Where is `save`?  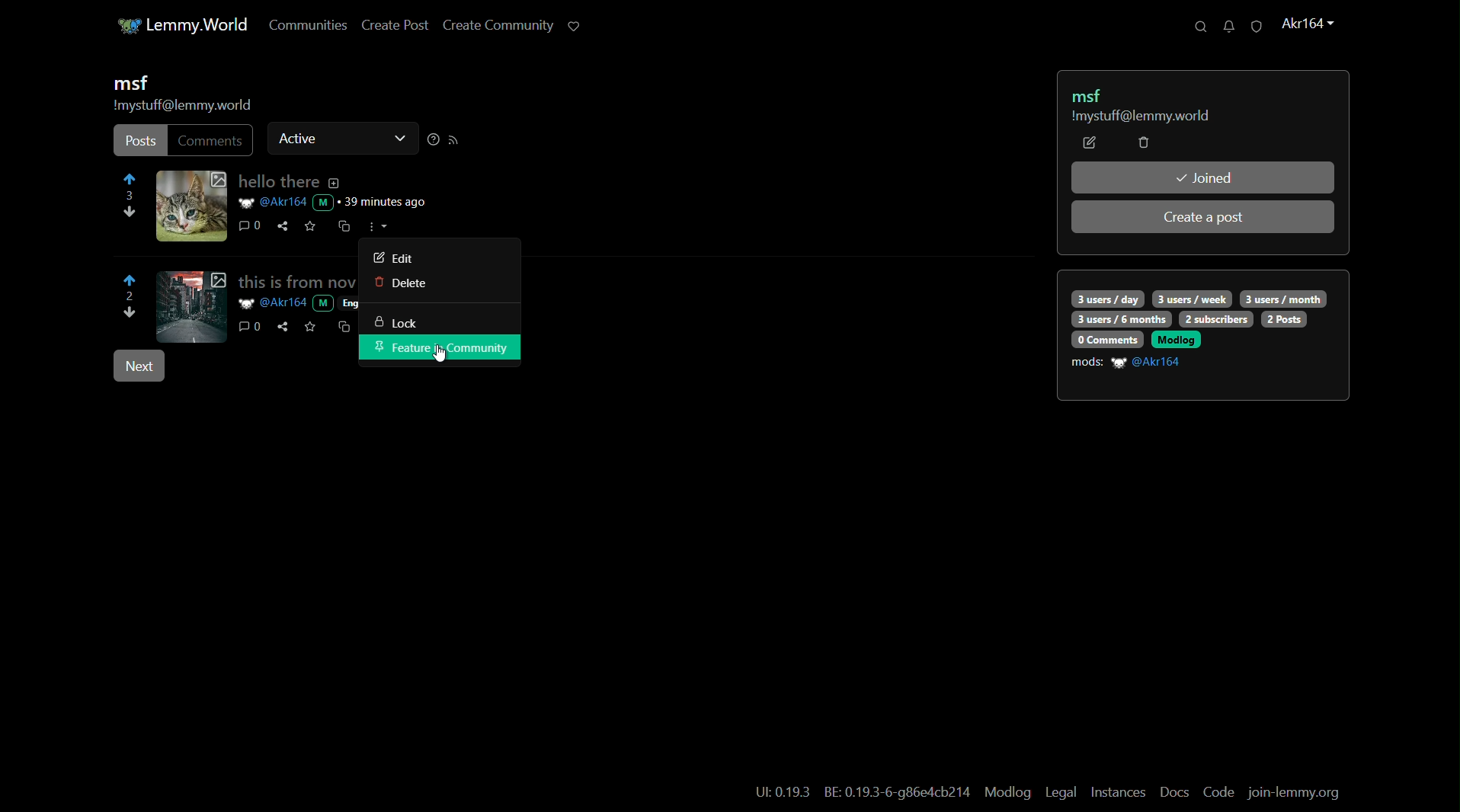 save is located at coordinates (309, 326).